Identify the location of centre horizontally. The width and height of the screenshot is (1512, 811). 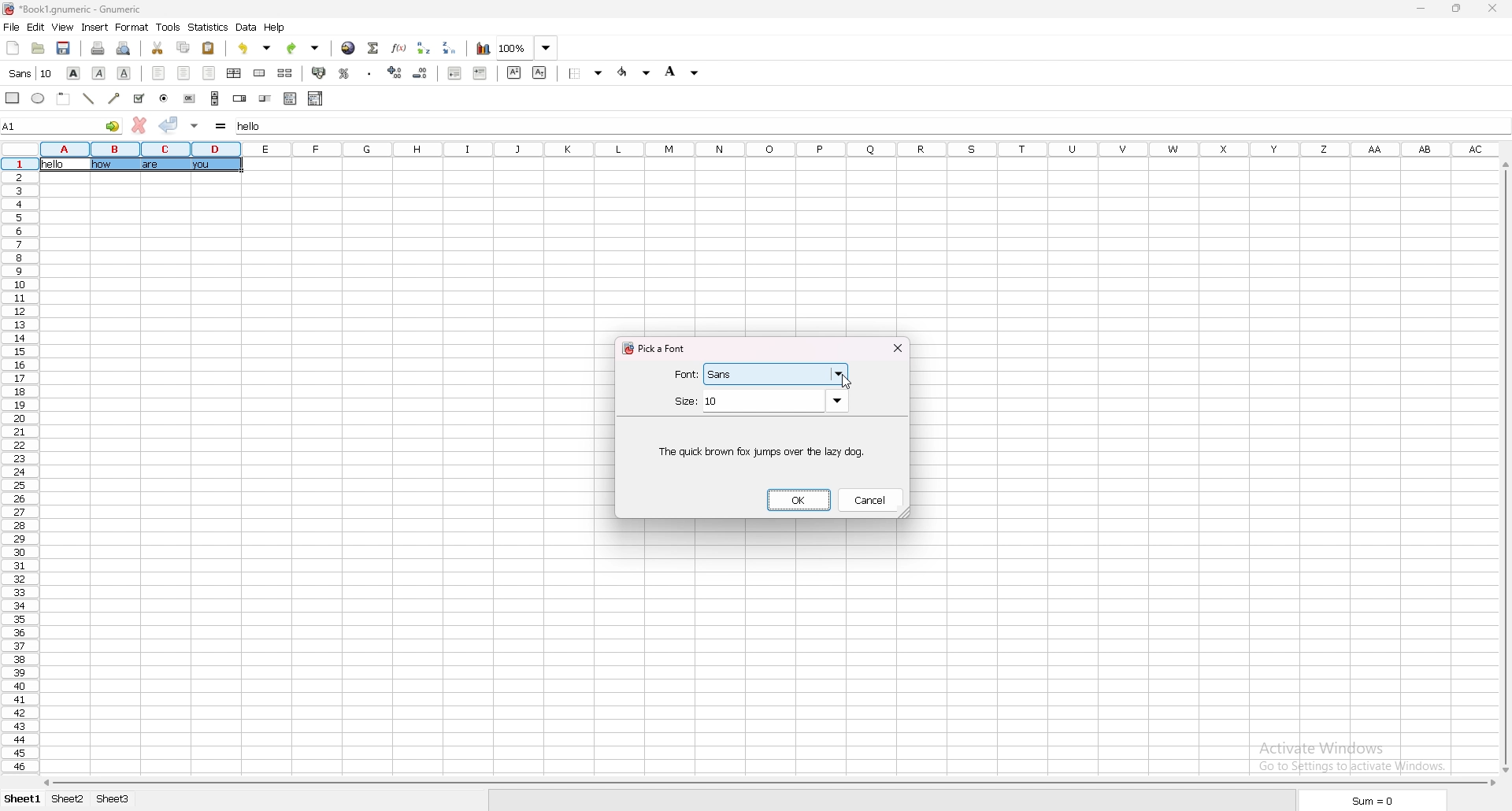
(235, 72).